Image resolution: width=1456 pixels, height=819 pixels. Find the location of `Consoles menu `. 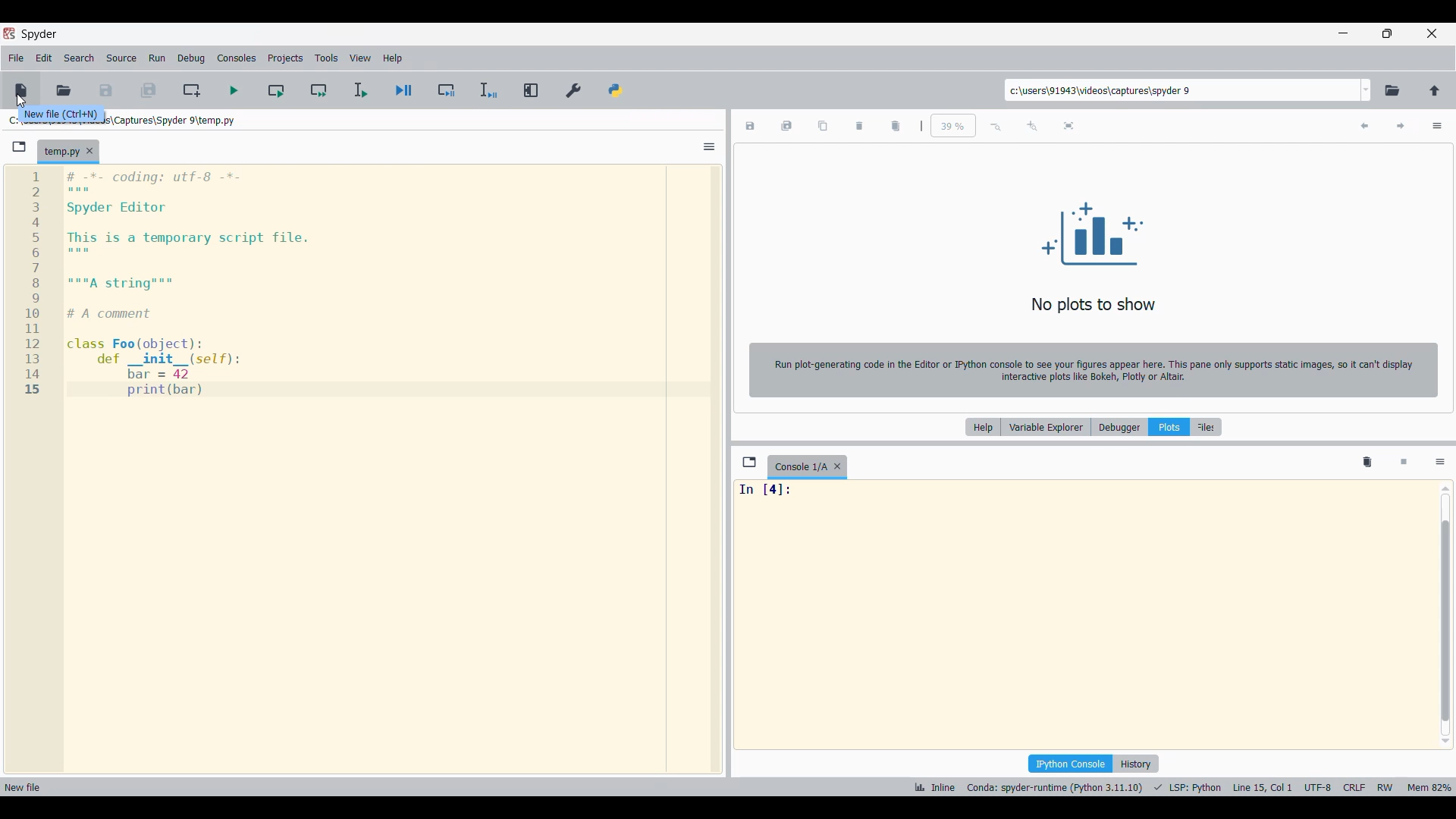

Consoles menu  is located at coordinates (237, 58).